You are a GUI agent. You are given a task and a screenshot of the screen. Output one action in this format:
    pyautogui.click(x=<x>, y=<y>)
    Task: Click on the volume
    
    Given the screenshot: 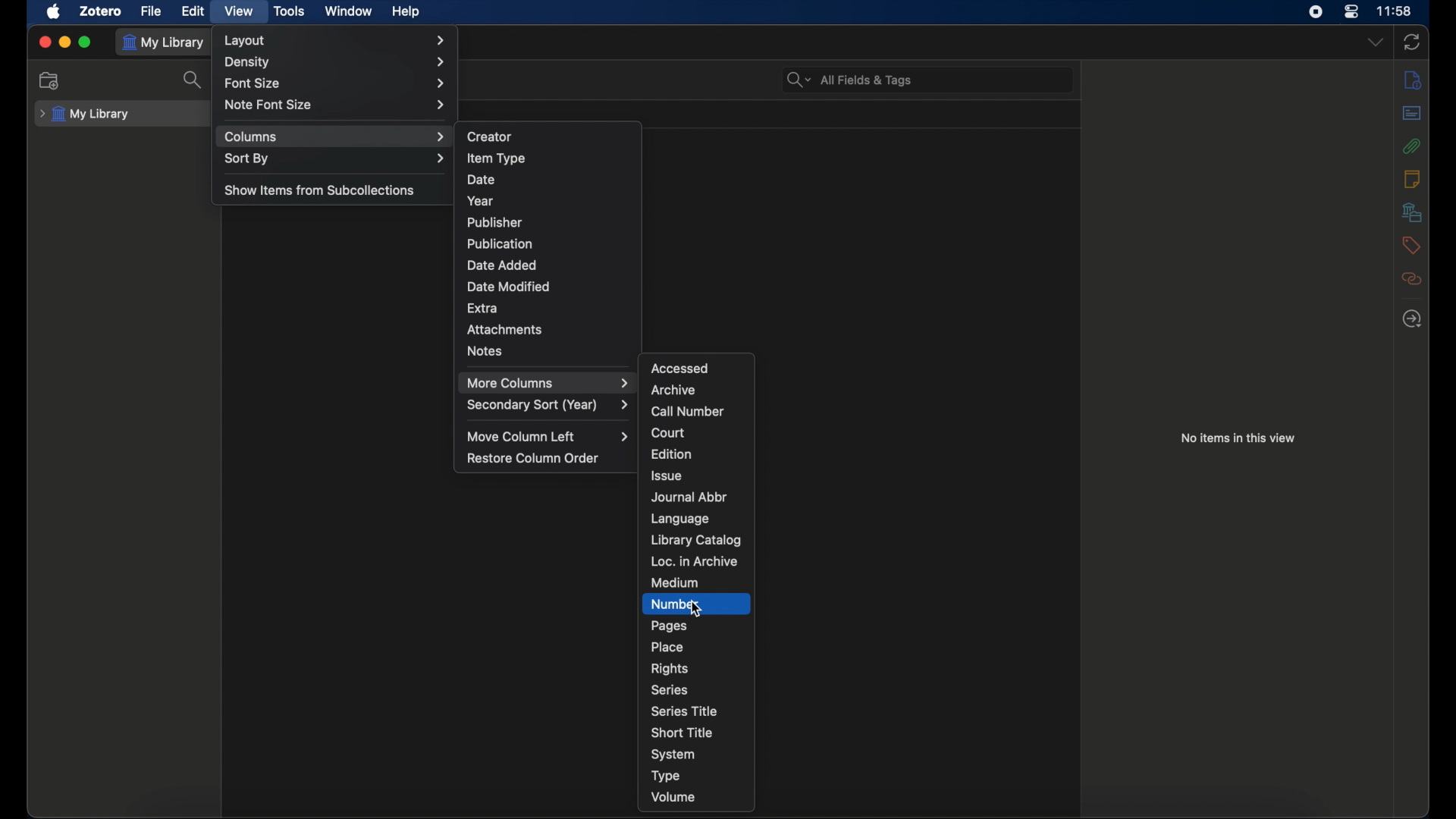 What is the action you would take?
    pyautogui.click(x=673, y=797)
    